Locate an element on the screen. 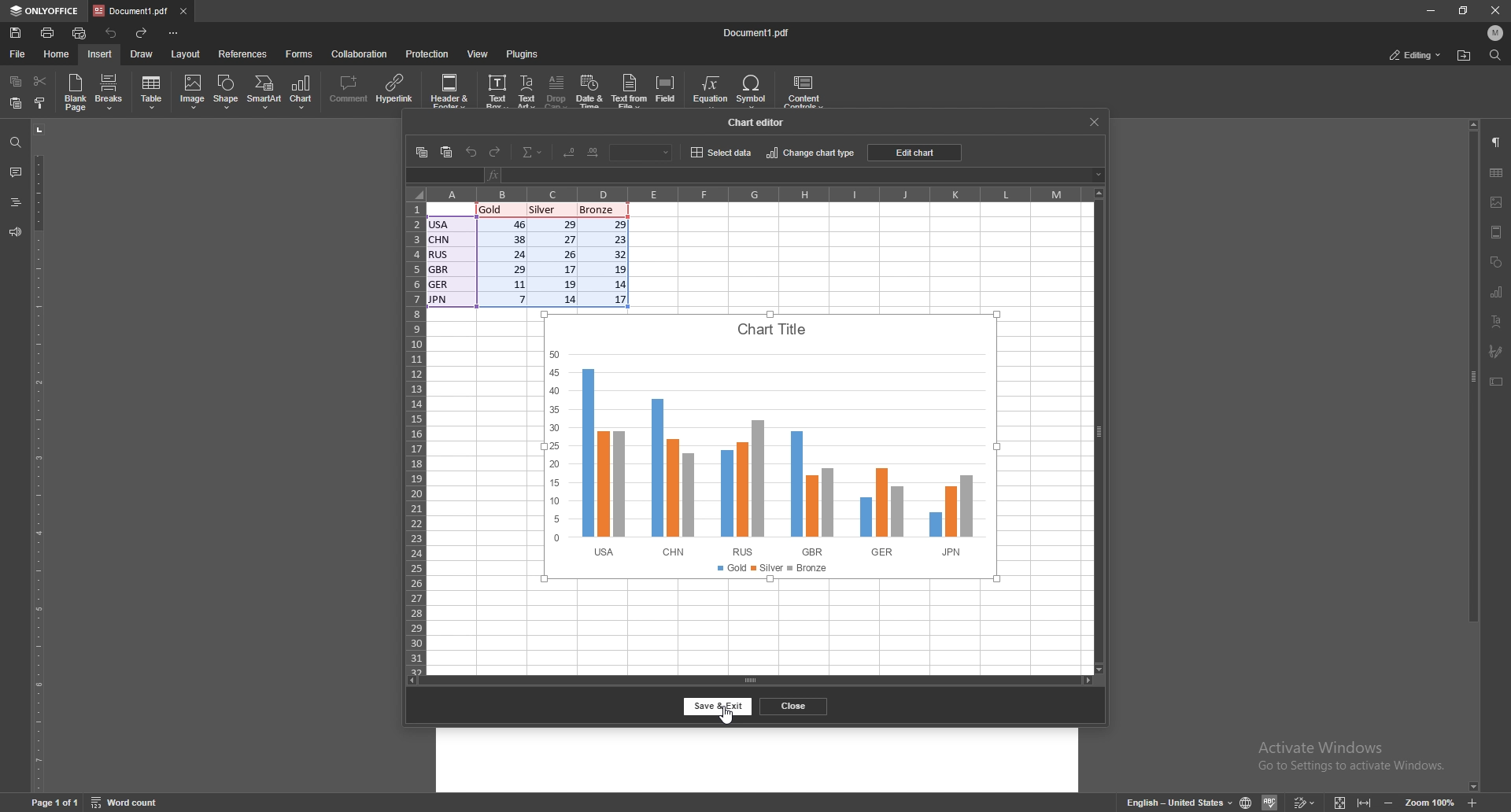 The image size is (1511, 812). redo is located at coordinates (496, 152).